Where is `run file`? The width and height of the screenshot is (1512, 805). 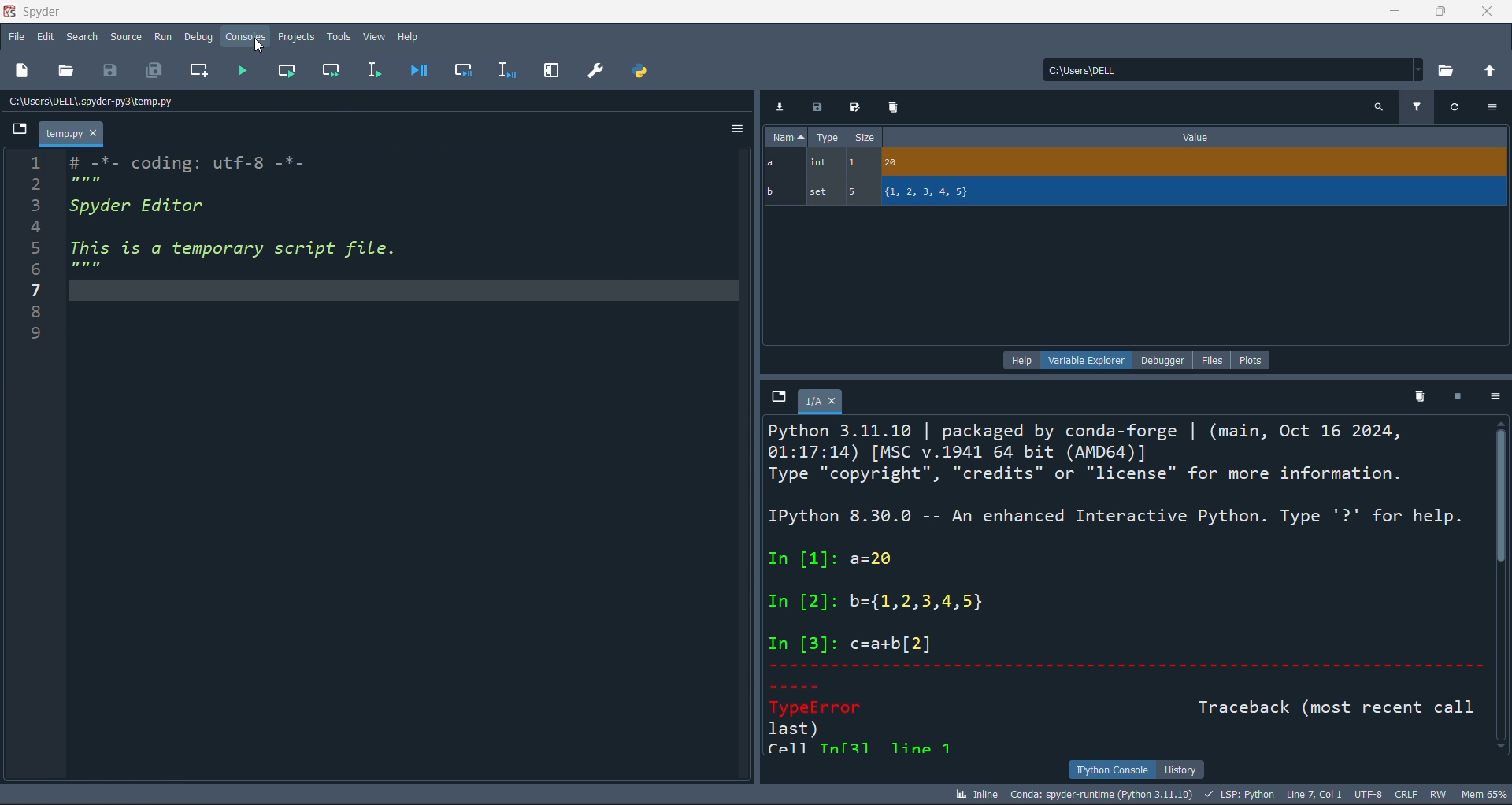
run file is located at coordinates (238, 69).